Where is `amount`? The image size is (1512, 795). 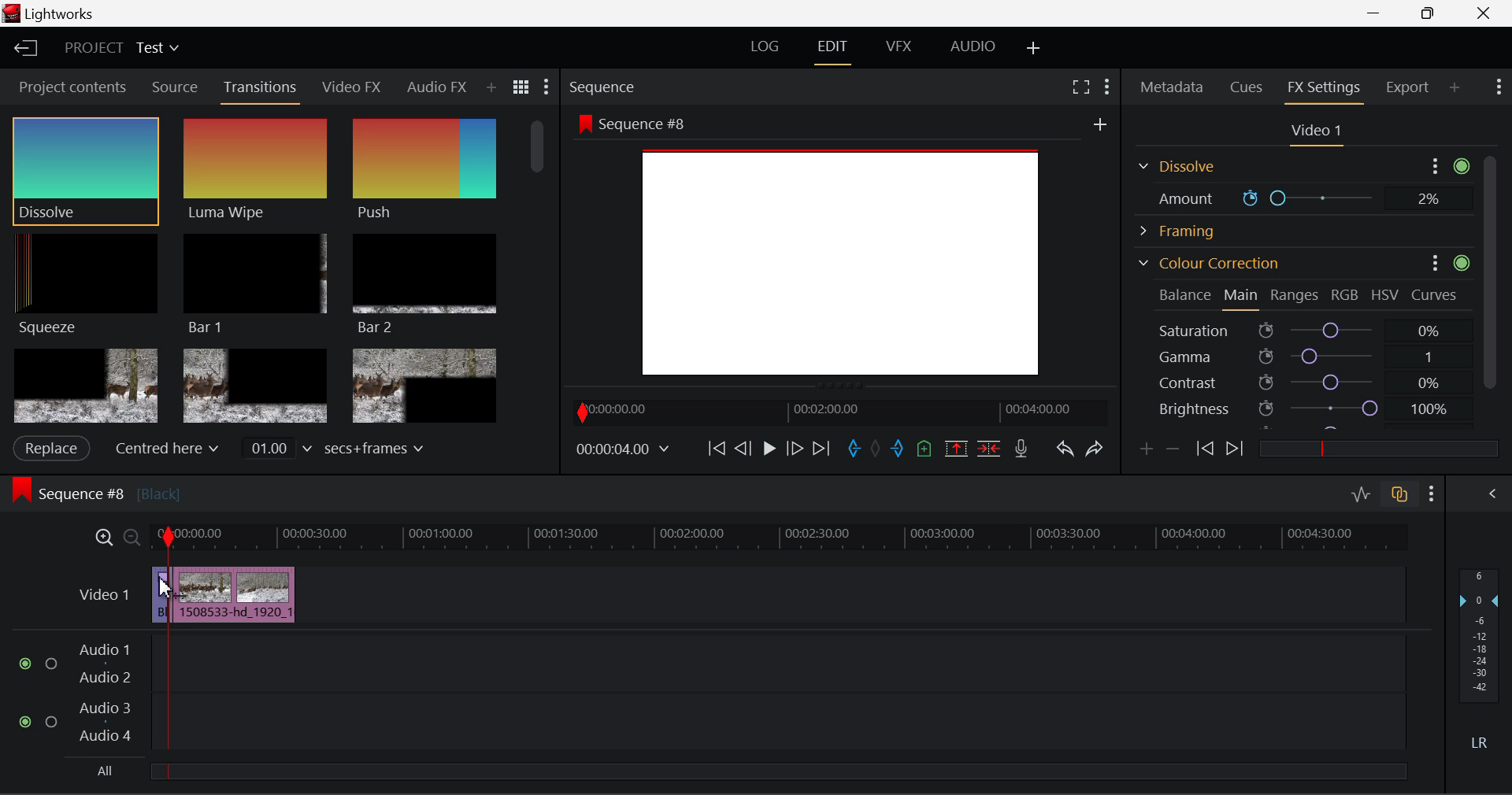
amount is located at coordinates (1178, 198).